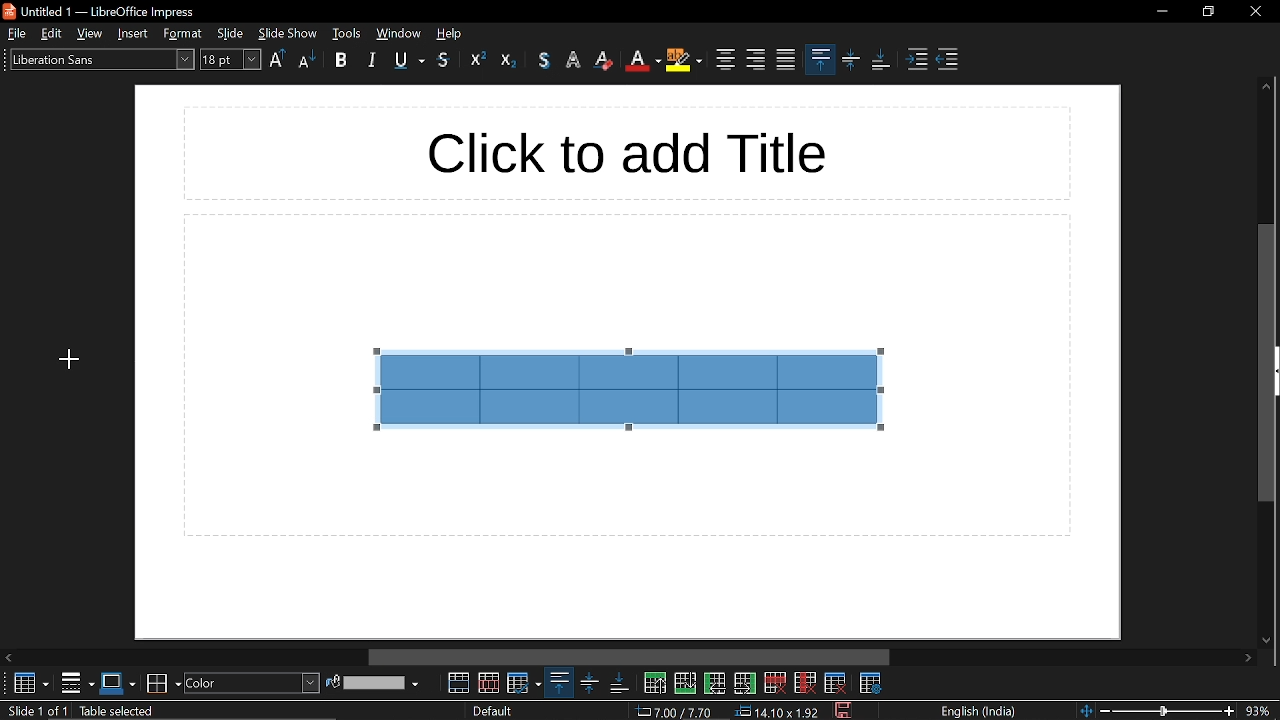  I want to click on delete table, so click(836, 682).